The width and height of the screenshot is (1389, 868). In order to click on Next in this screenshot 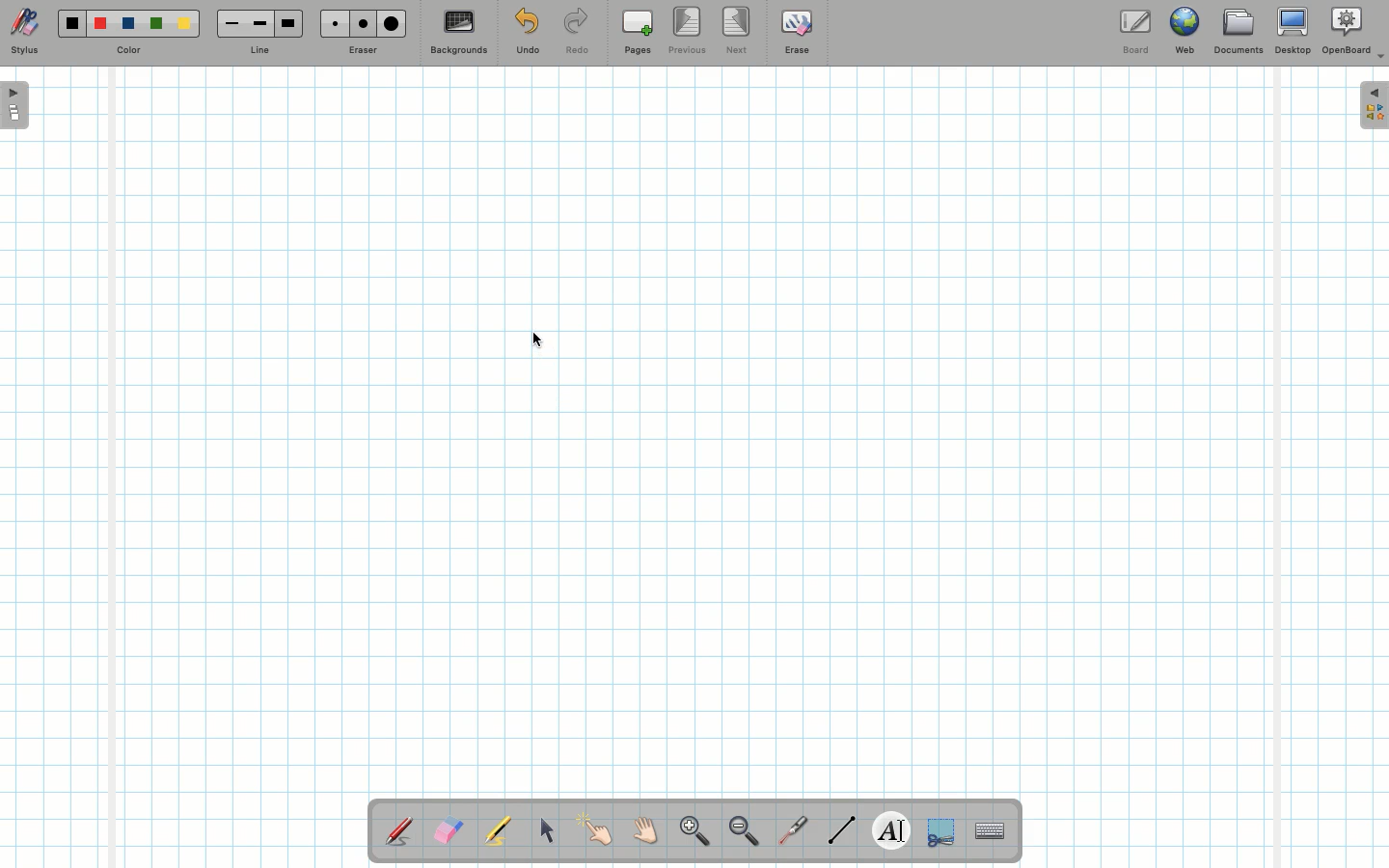, I will do `click(738, 29)`.